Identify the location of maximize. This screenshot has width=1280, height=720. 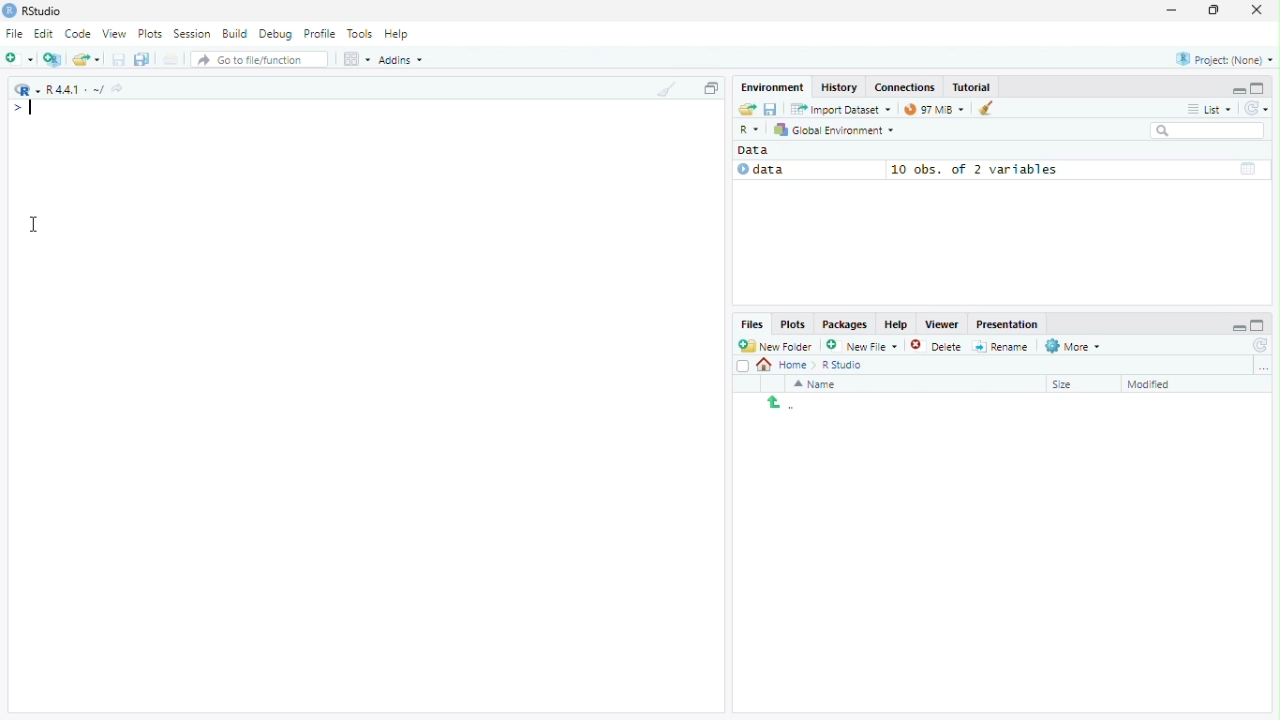
(1261, 324).